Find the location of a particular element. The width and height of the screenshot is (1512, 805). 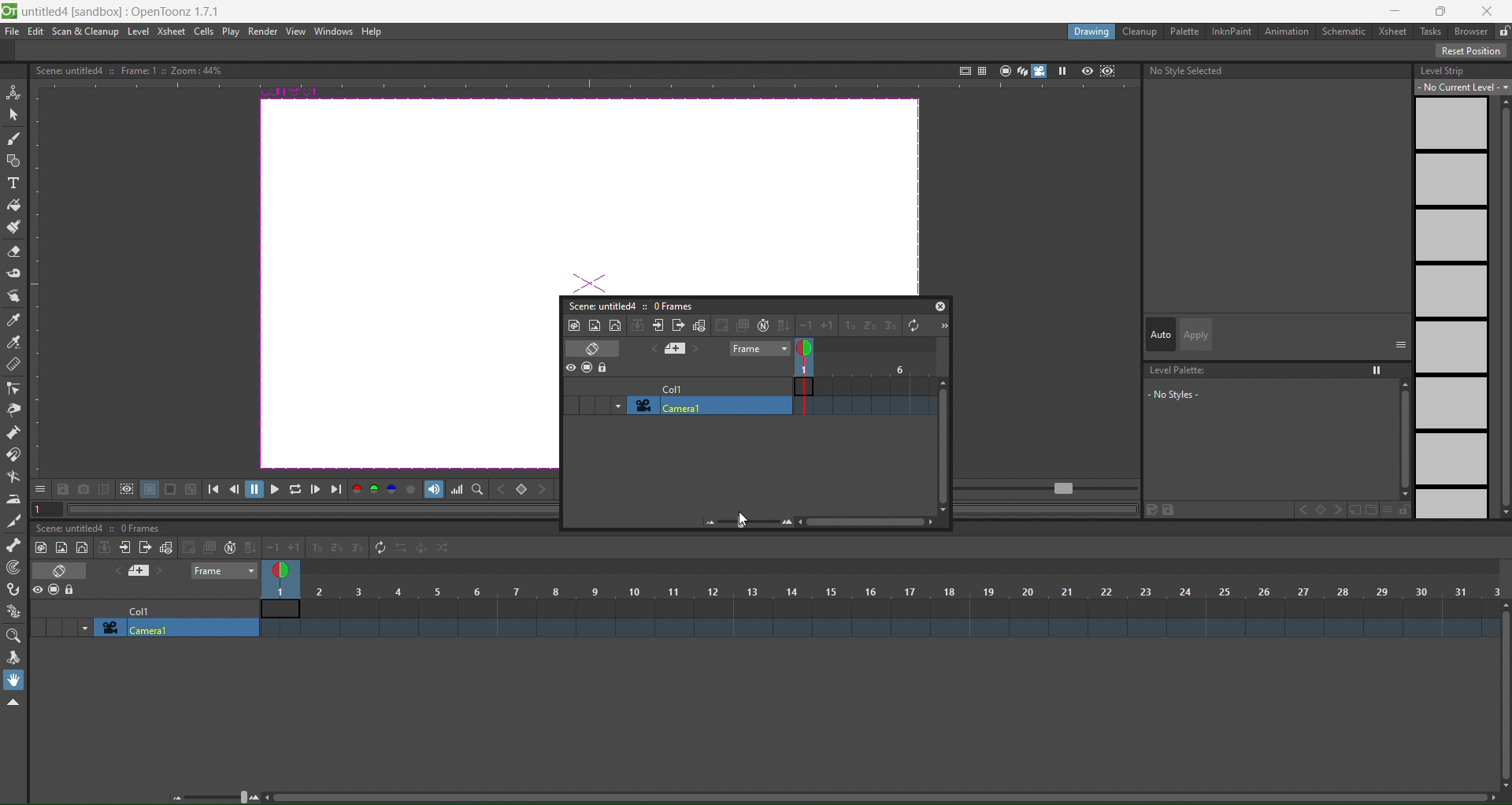

auto input cell number is located at coordinates (762, 325).